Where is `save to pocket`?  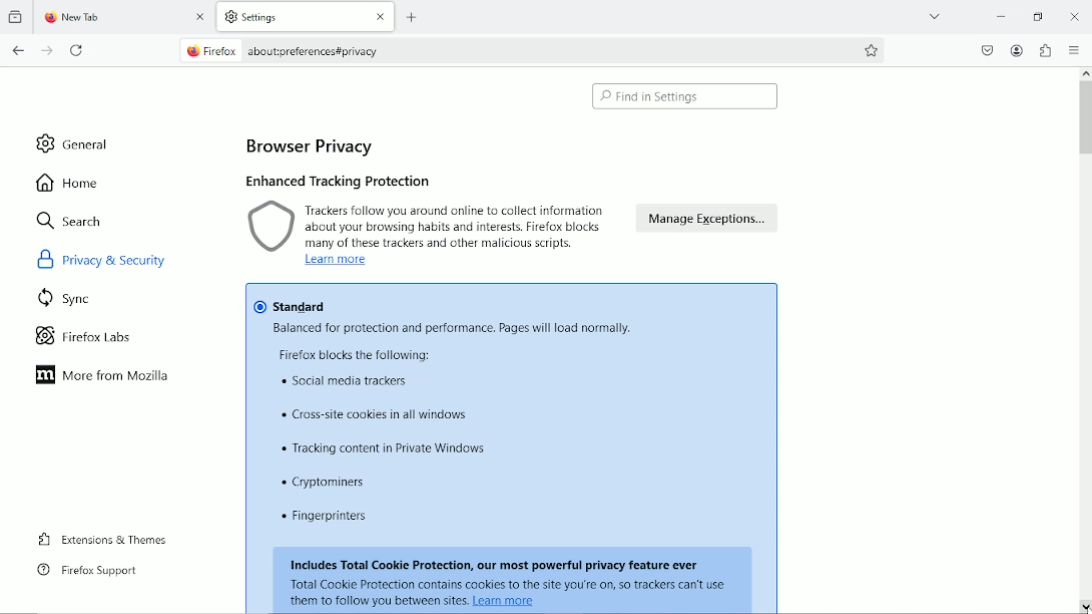
save to pocket is located at coordinates (986, 48).